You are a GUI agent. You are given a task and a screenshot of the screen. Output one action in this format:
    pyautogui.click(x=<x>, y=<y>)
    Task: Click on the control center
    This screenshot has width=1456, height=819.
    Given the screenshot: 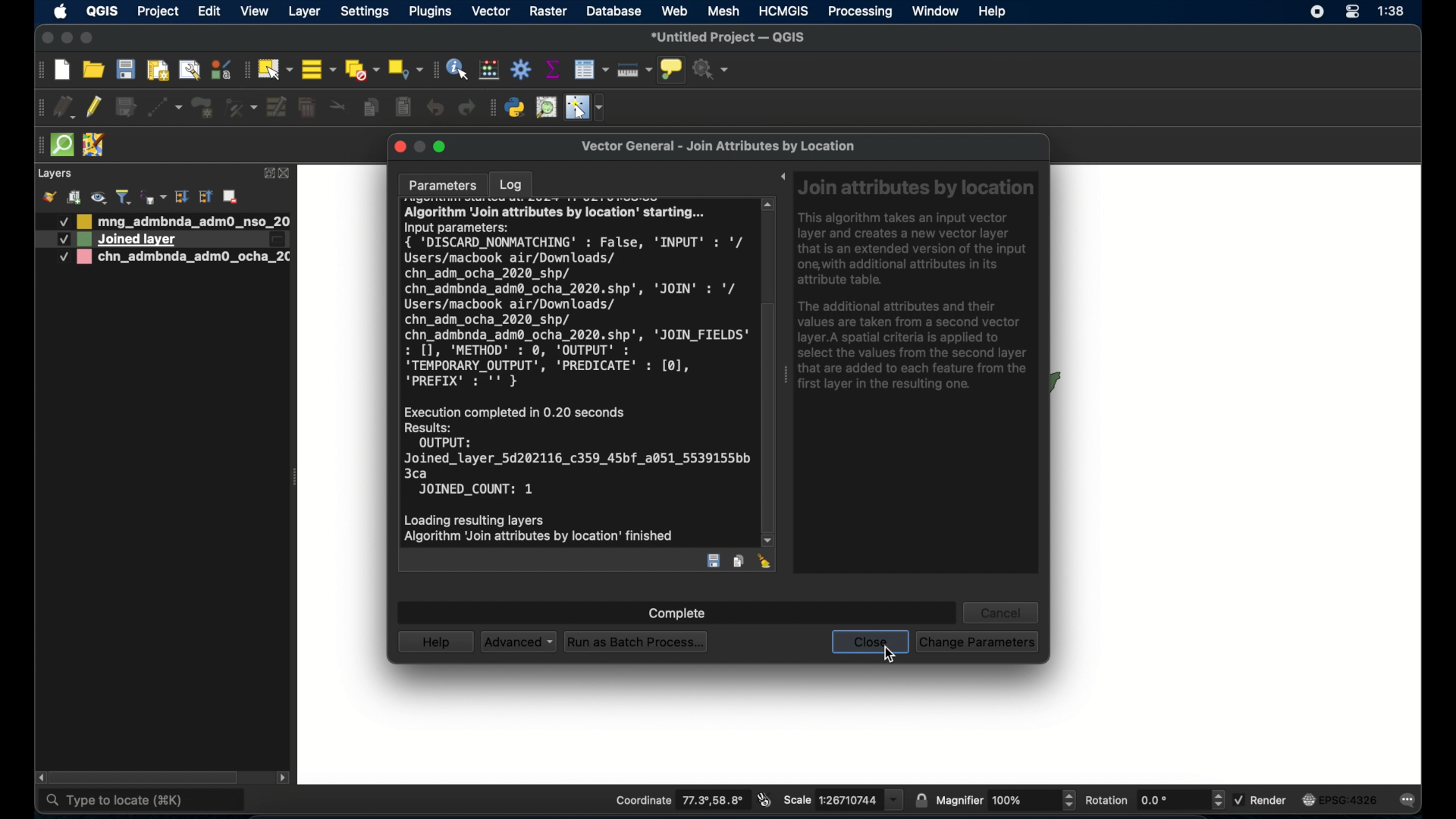 What is the action you would take?
    pyautogui.click(x=1353, y=11)
    